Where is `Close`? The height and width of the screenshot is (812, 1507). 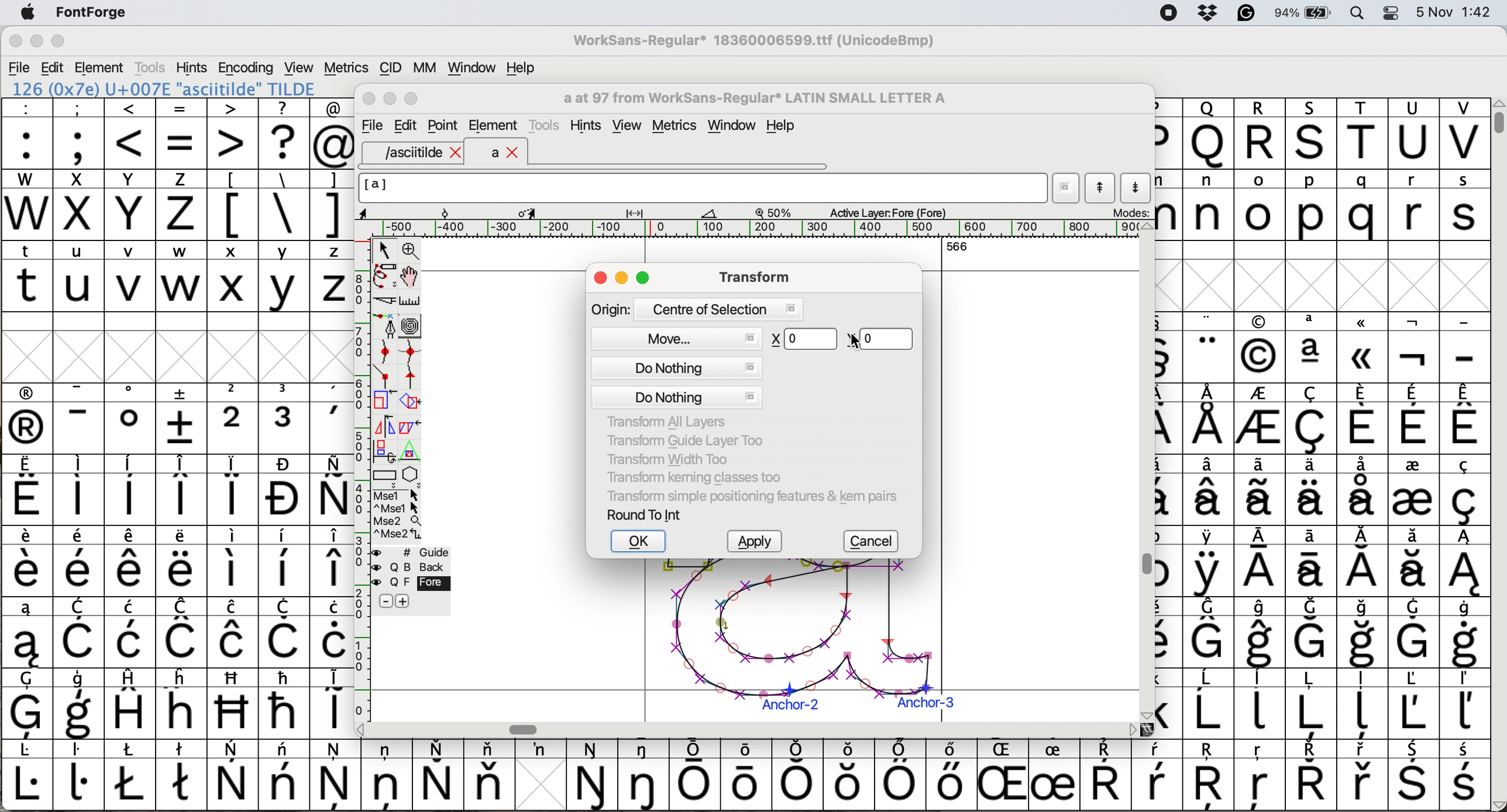 Close is located at coordinates (370, 99).